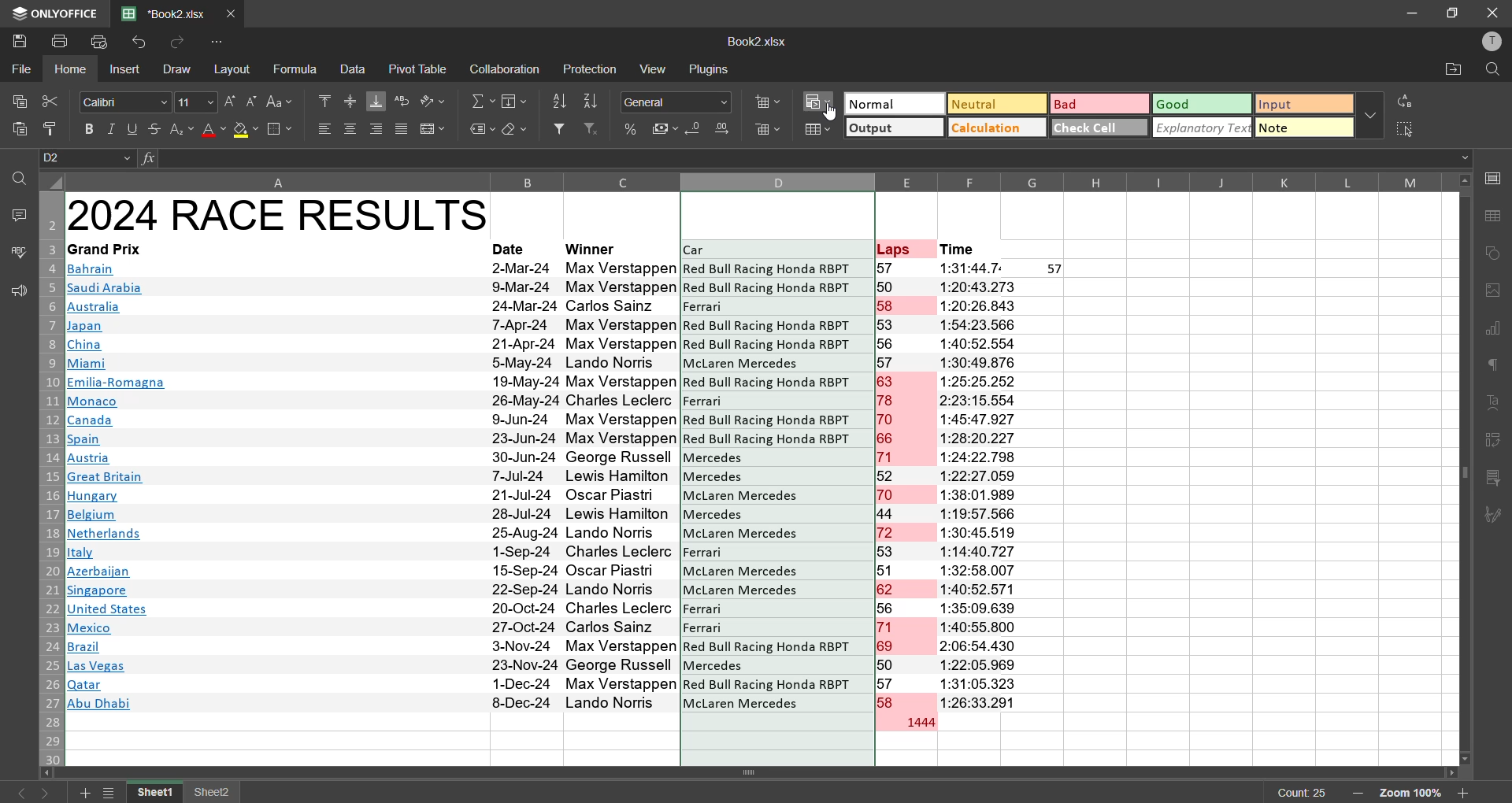 The height and width of the screenshot is (803, 1512). I want to click on charts, so click(1494, 330).